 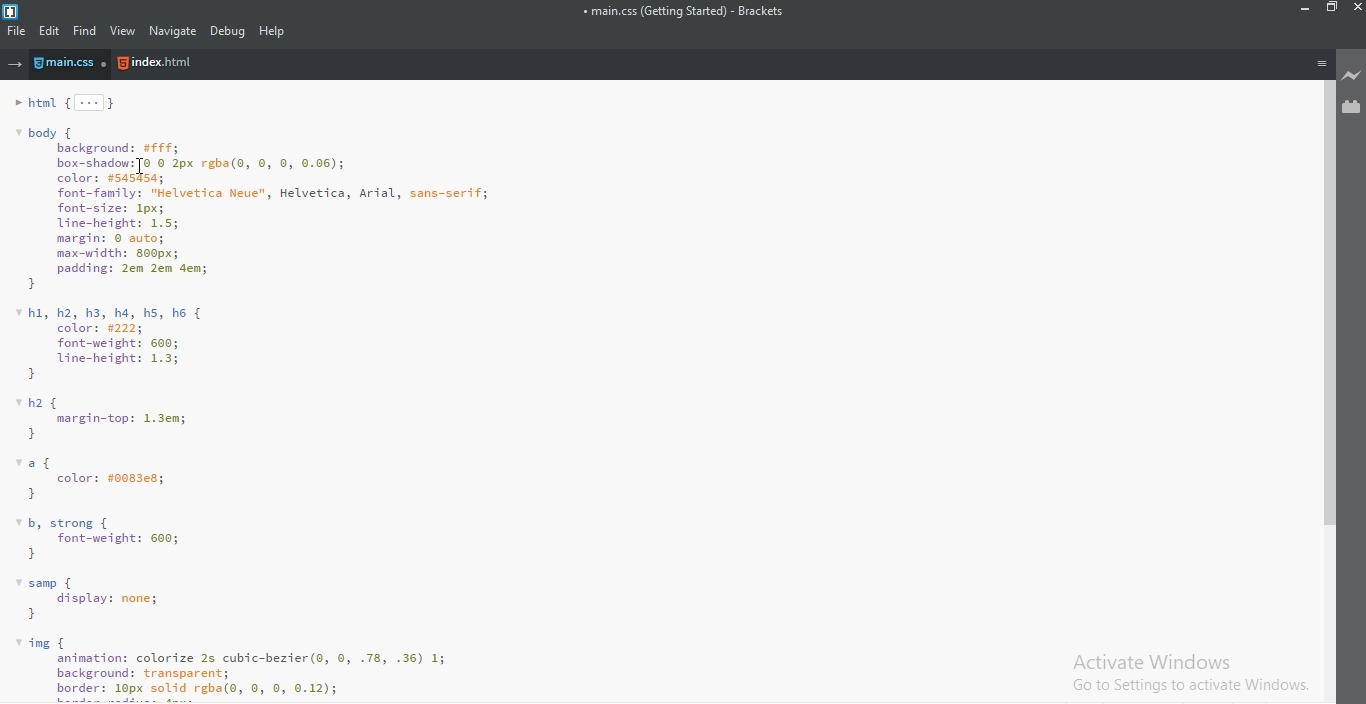 What do you see at coordinates (1302, 10) in the screenshot?
I see `minimise` at bounding box center [1302, 10].